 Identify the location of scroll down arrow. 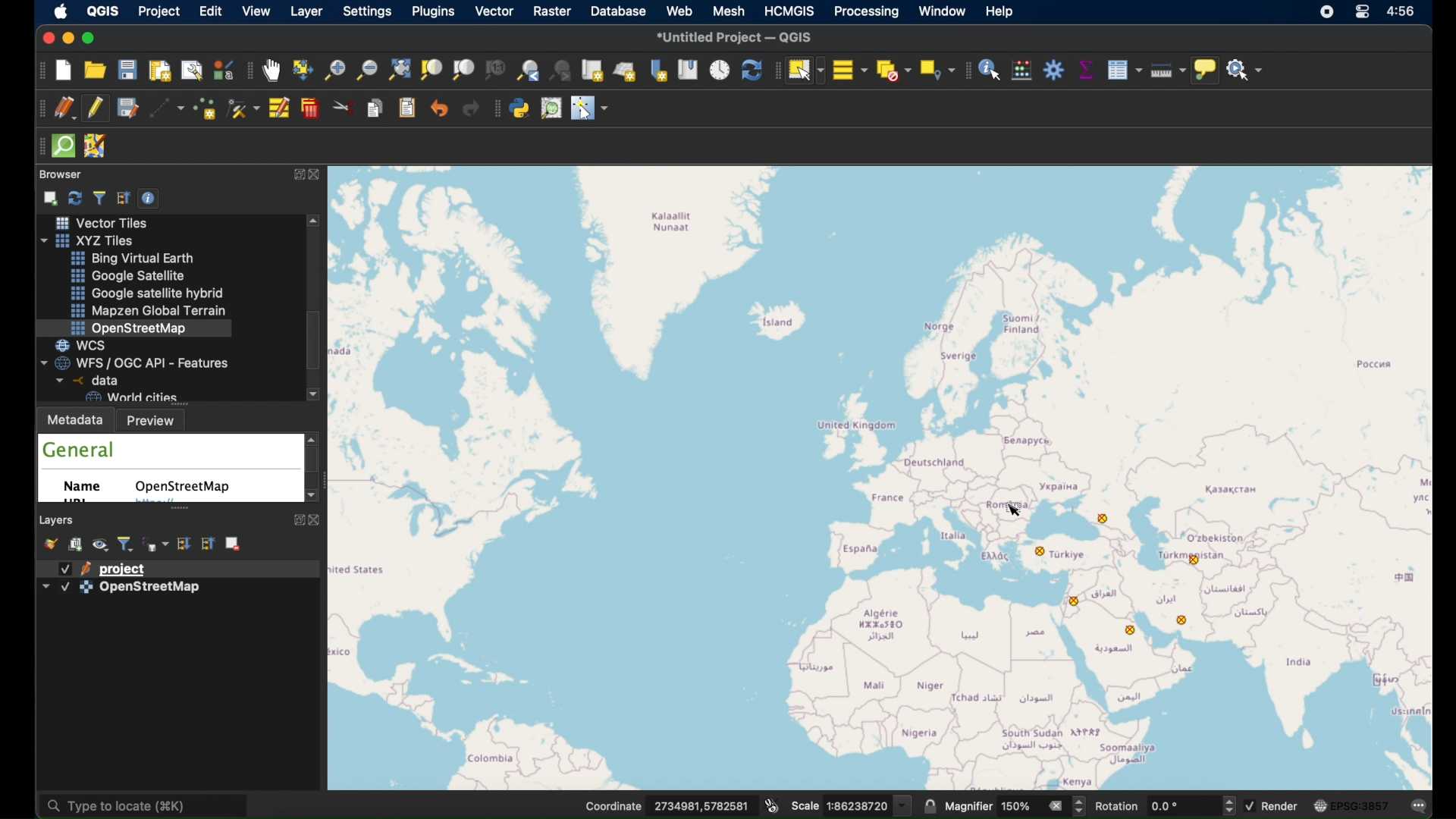
(315, 395).